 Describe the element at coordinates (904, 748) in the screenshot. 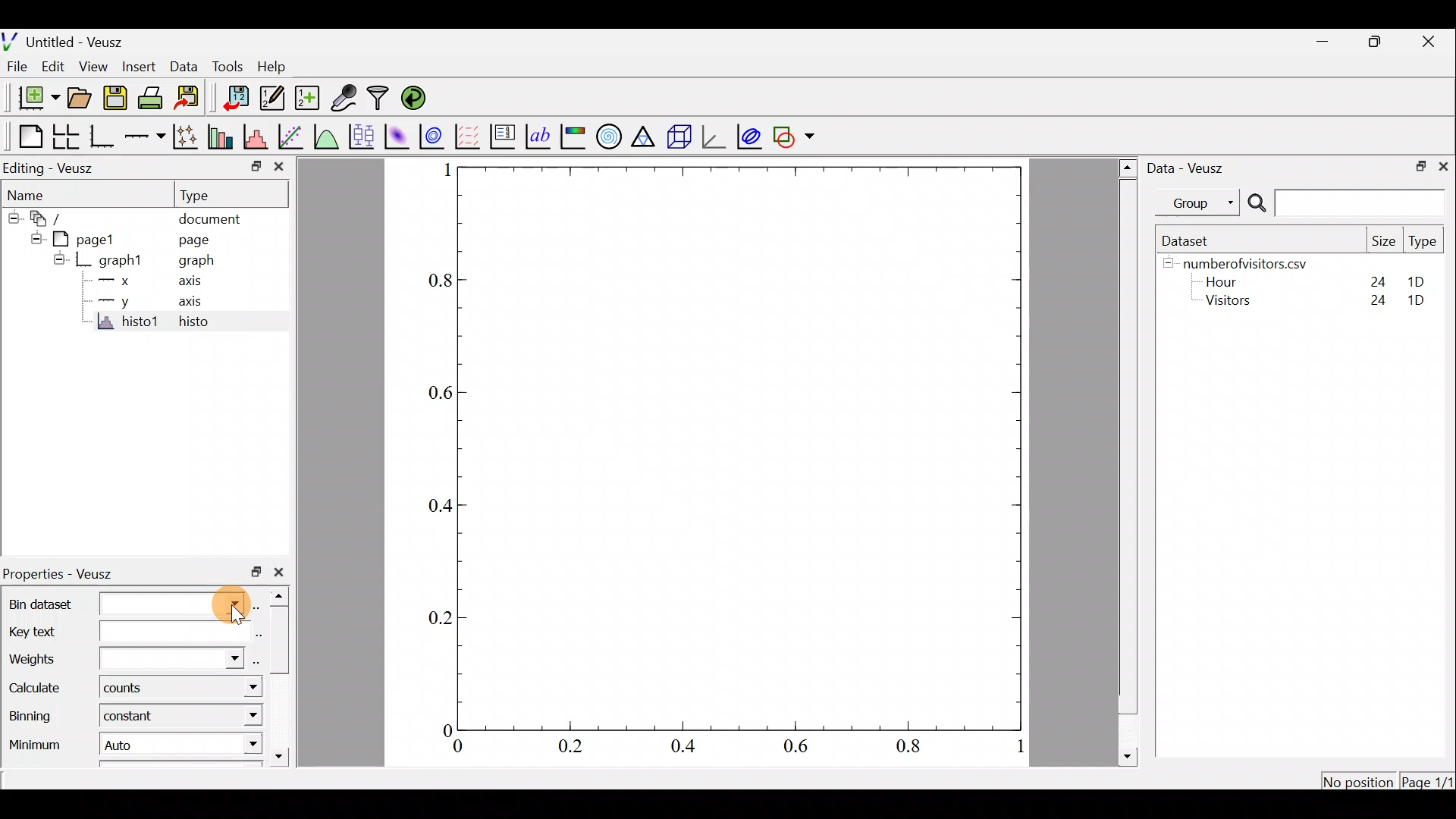

I see `0.8` at that location.